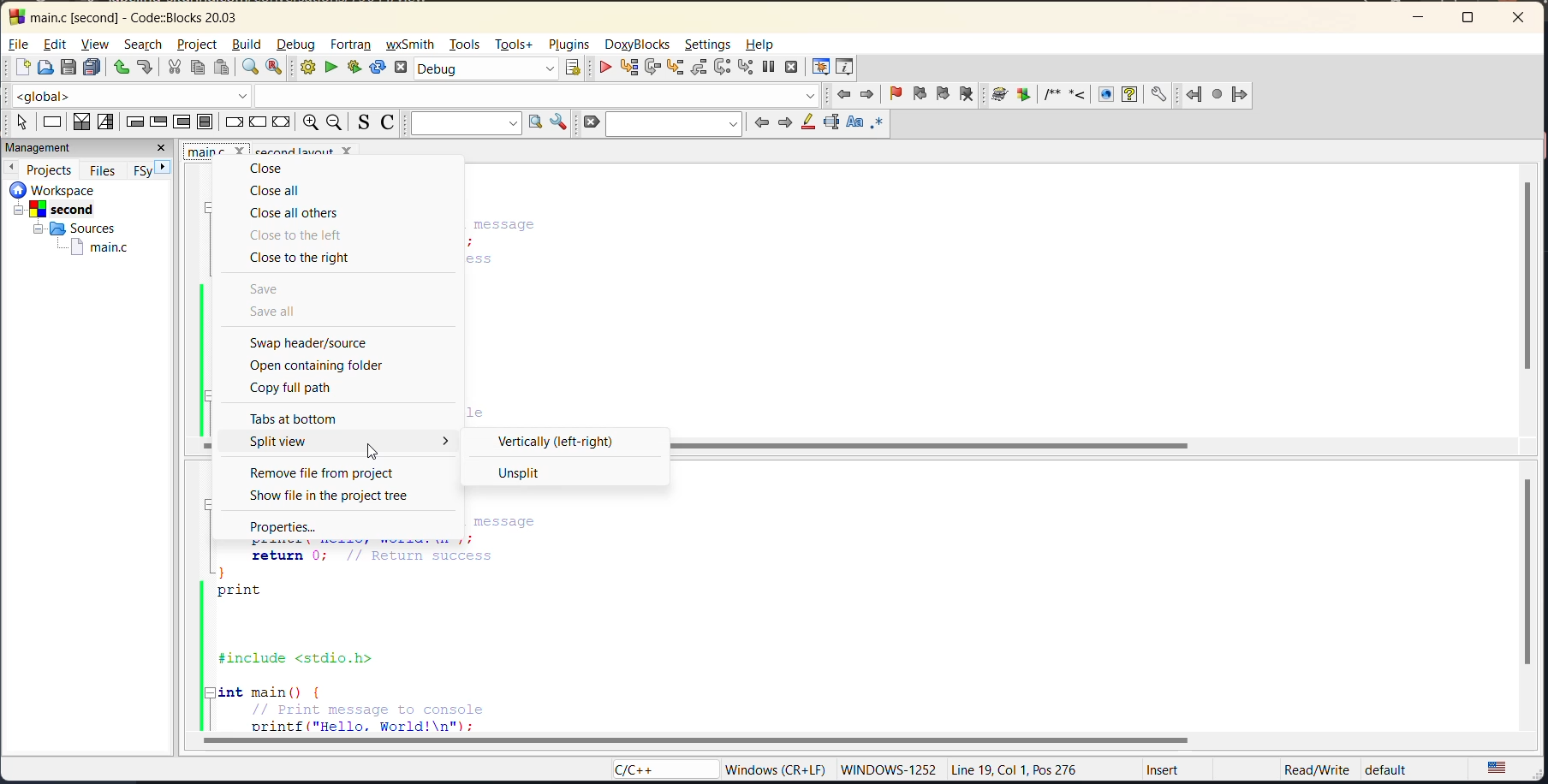 The image size is (1548, 784). Describe the element at coordinates (297, 214) in the screenshot. I see `close all others` at that location.